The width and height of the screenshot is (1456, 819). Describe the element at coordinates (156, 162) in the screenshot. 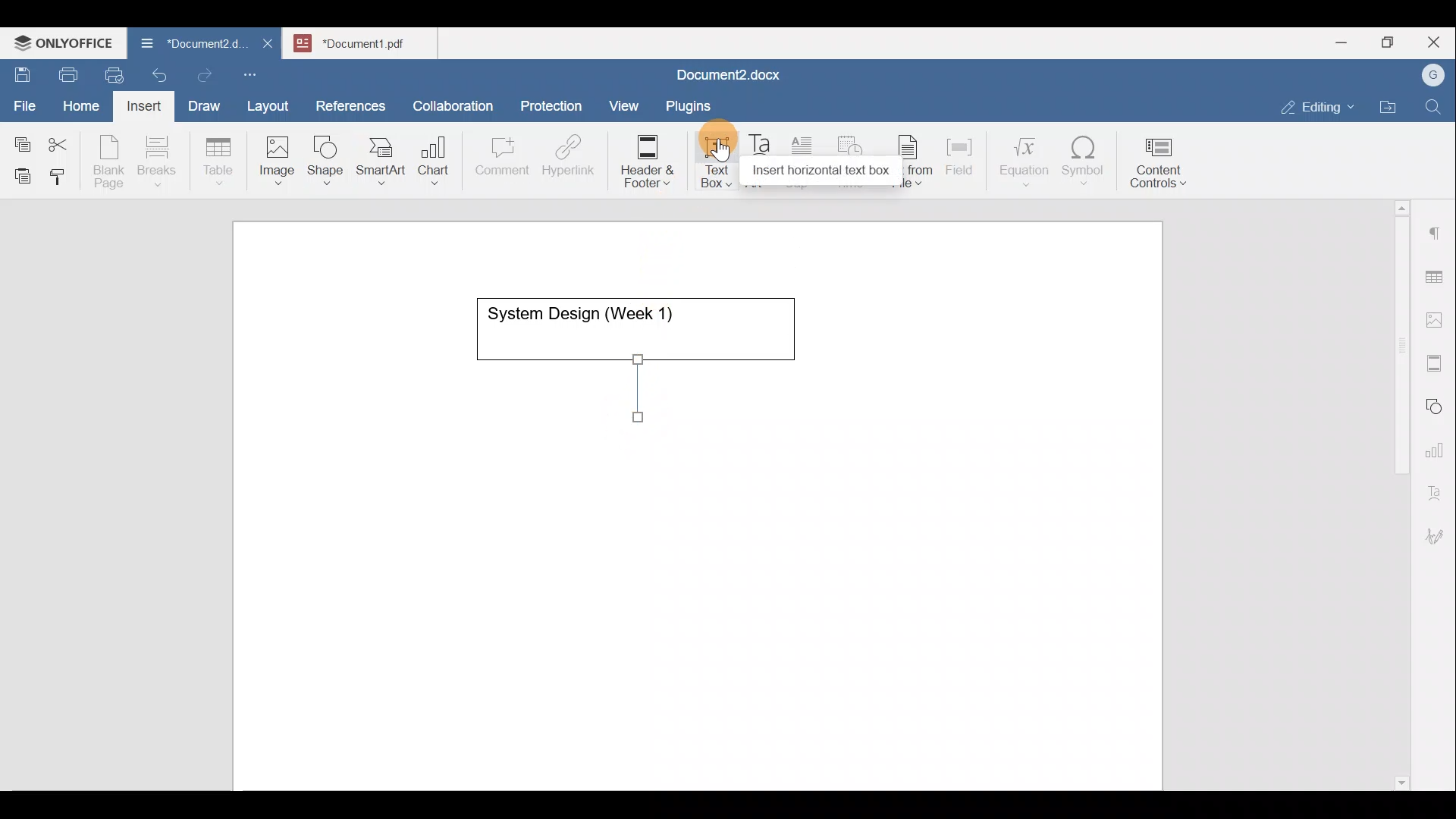

I see `Breaks` at that location.